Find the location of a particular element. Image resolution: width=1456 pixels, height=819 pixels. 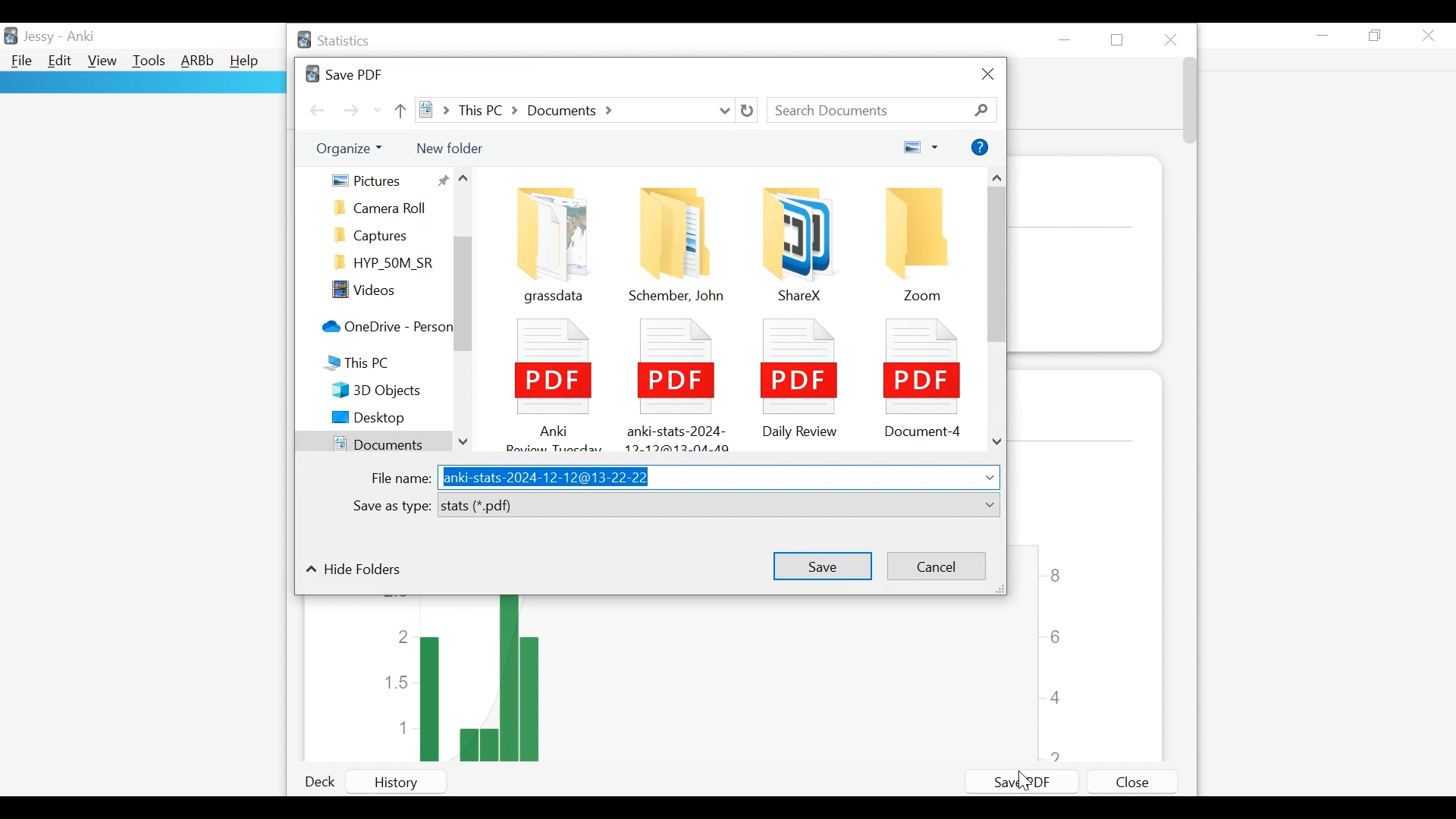

Organize is located at coordinates (353, 149).